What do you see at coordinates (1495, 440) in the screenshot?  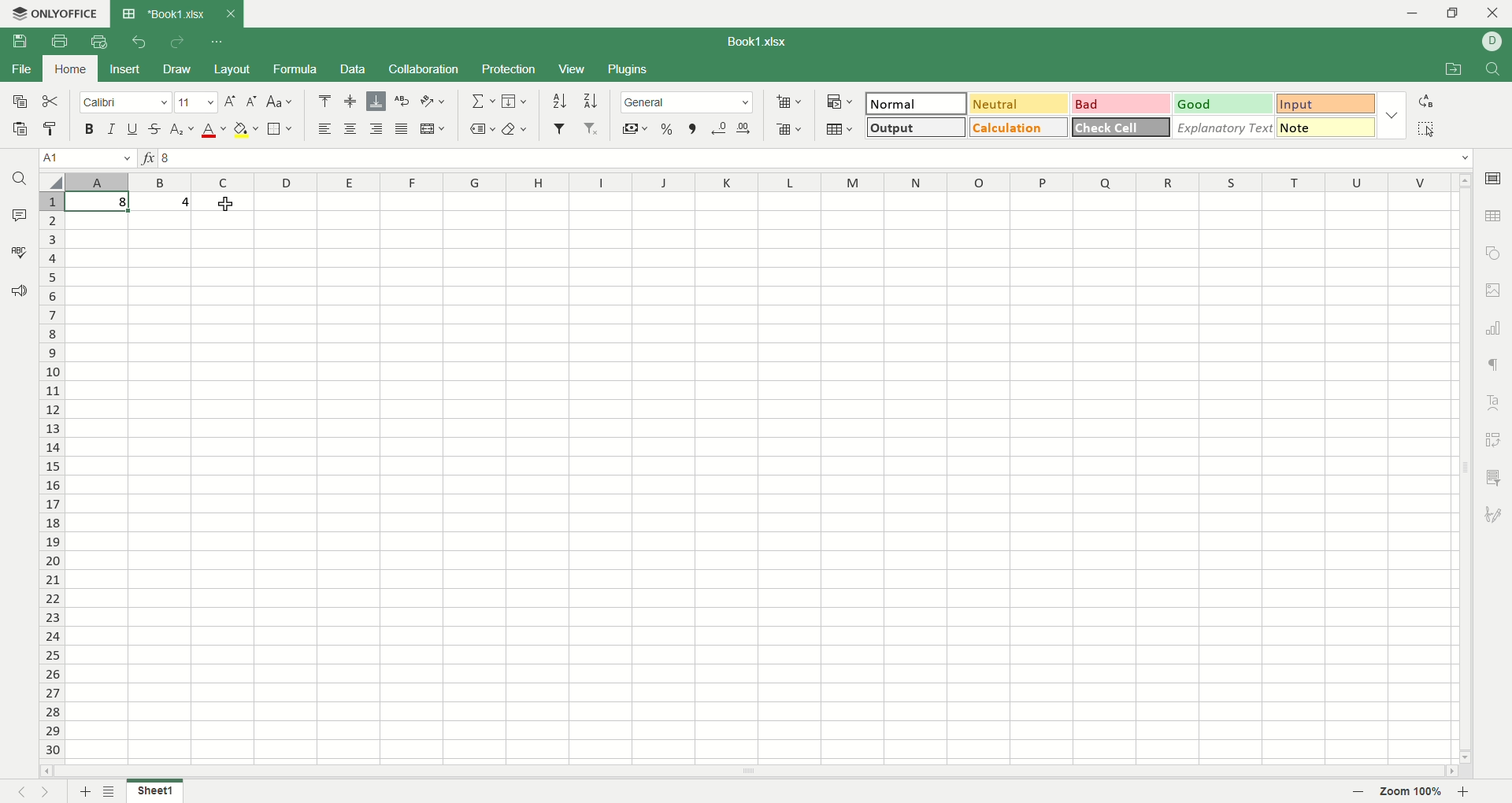 I see `pivot table settings` at bounding box center [1495, 440].